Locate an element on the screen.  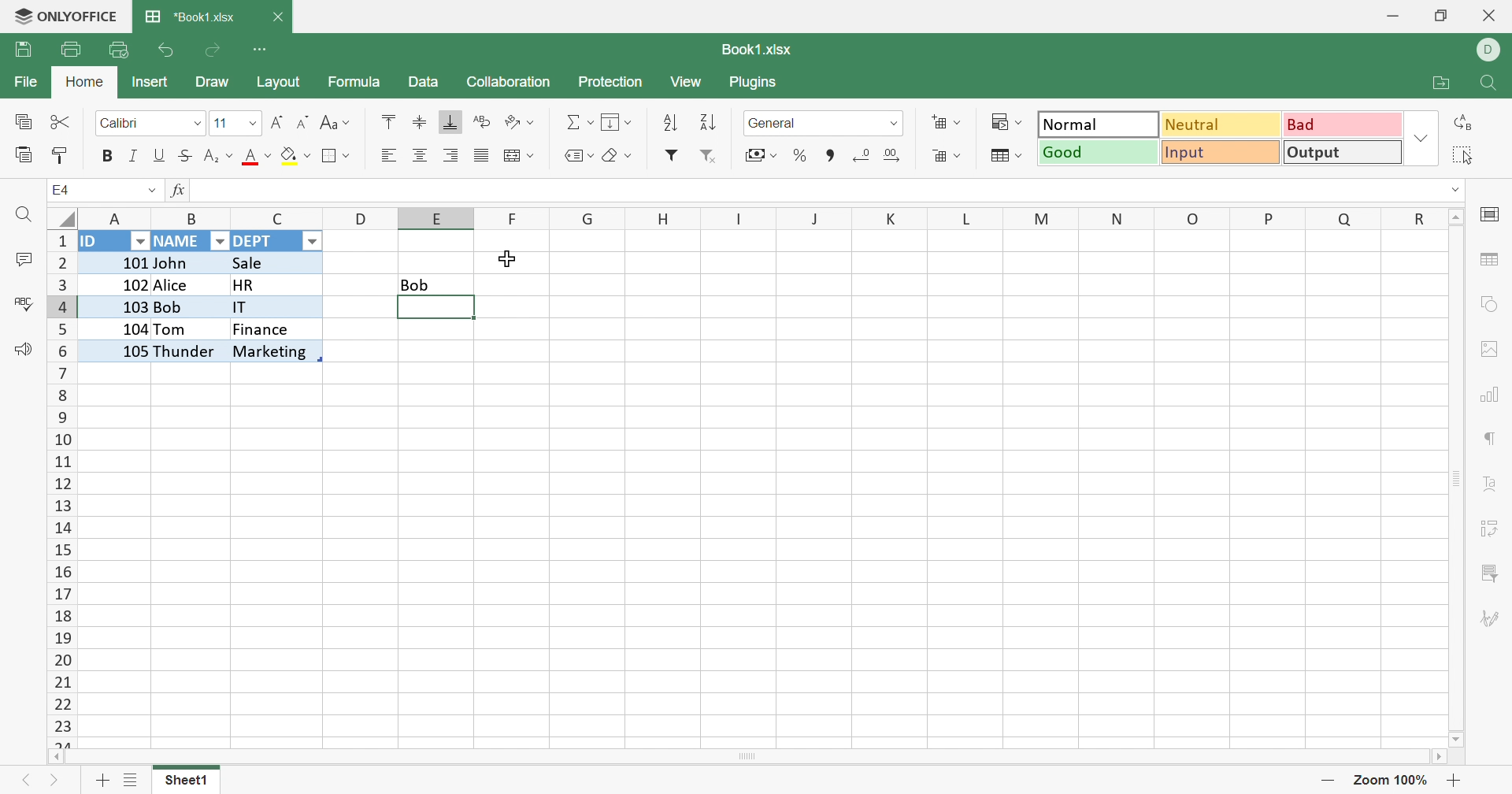
Add sheet is located at coordinates (106, 780).